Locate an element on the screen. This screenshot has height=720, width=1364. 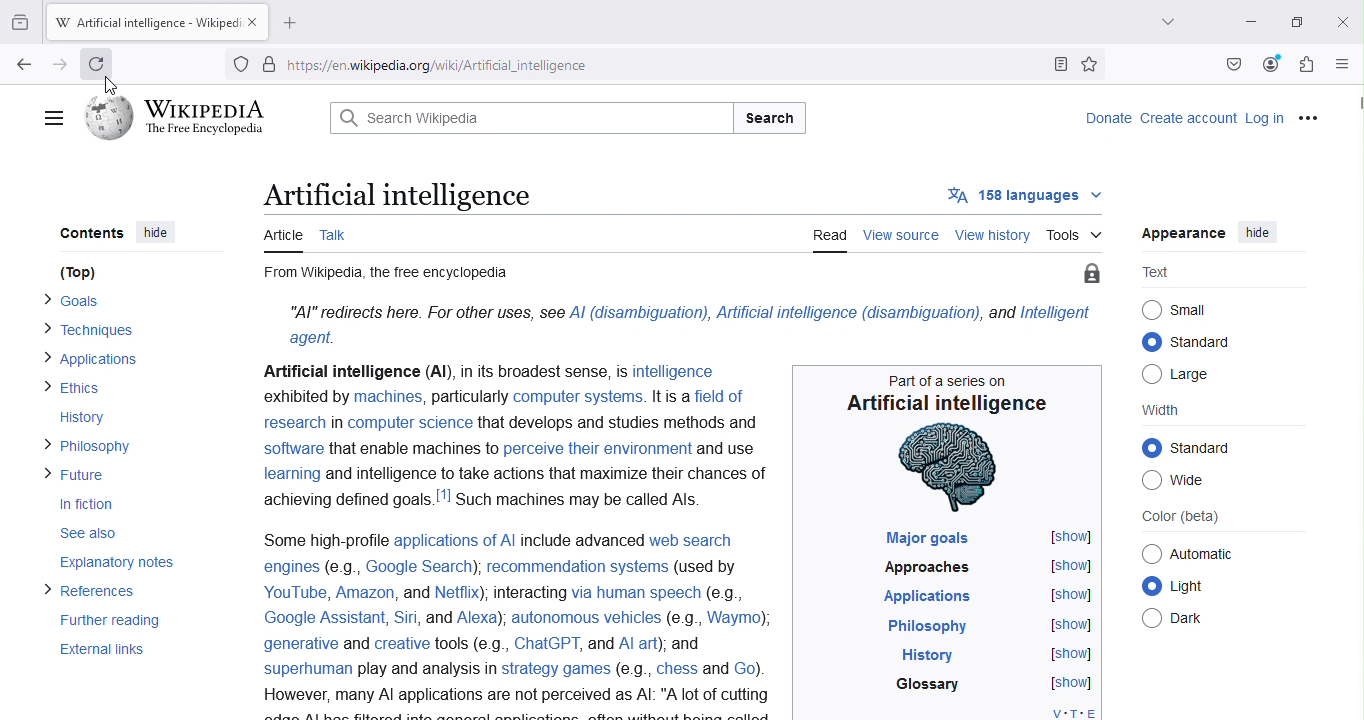
tools (e.g., is located at coordinates (470, 645).